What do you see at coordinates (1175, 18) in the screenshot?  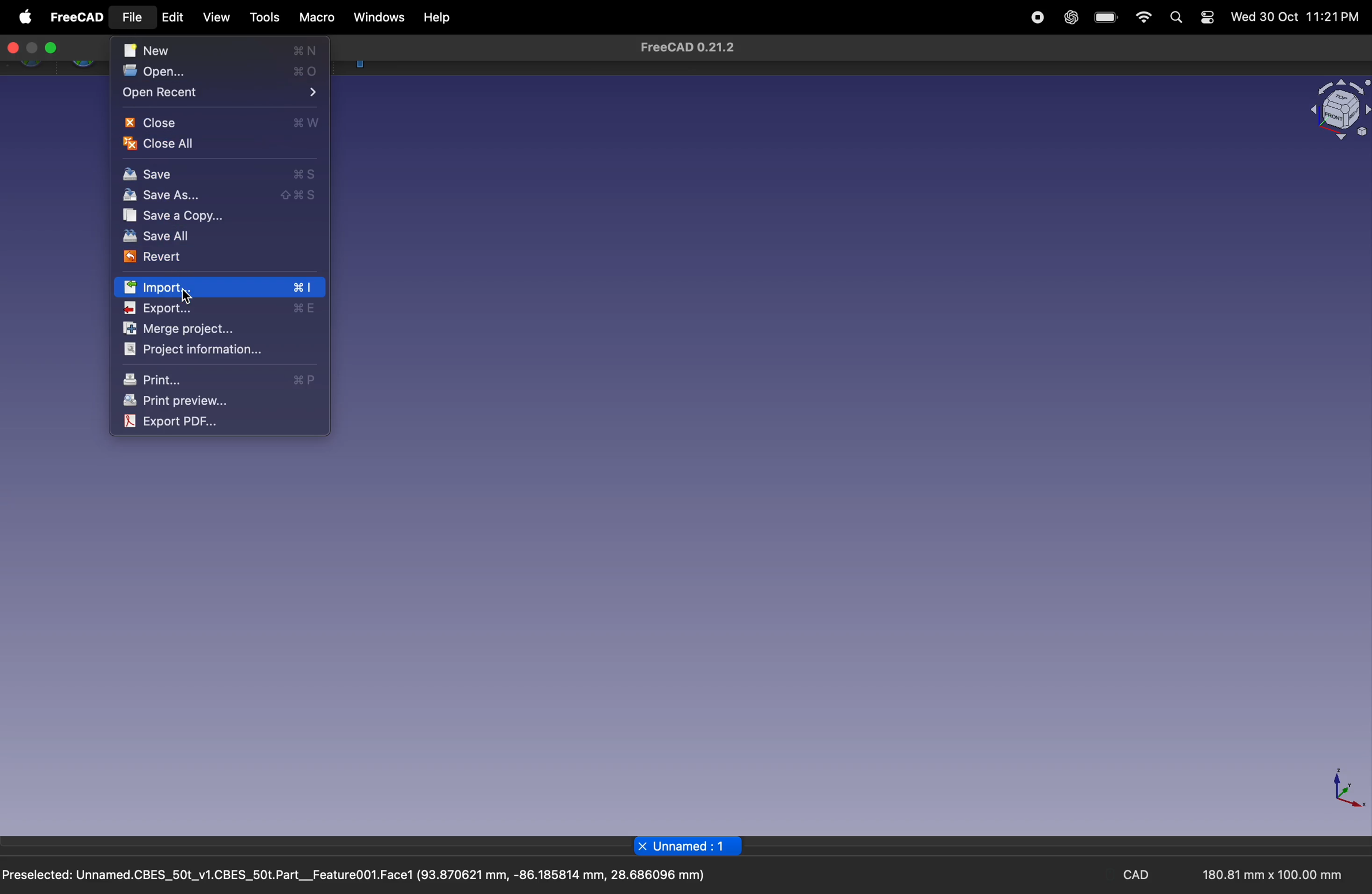 I see `search` at bounding box center [1175, 18].